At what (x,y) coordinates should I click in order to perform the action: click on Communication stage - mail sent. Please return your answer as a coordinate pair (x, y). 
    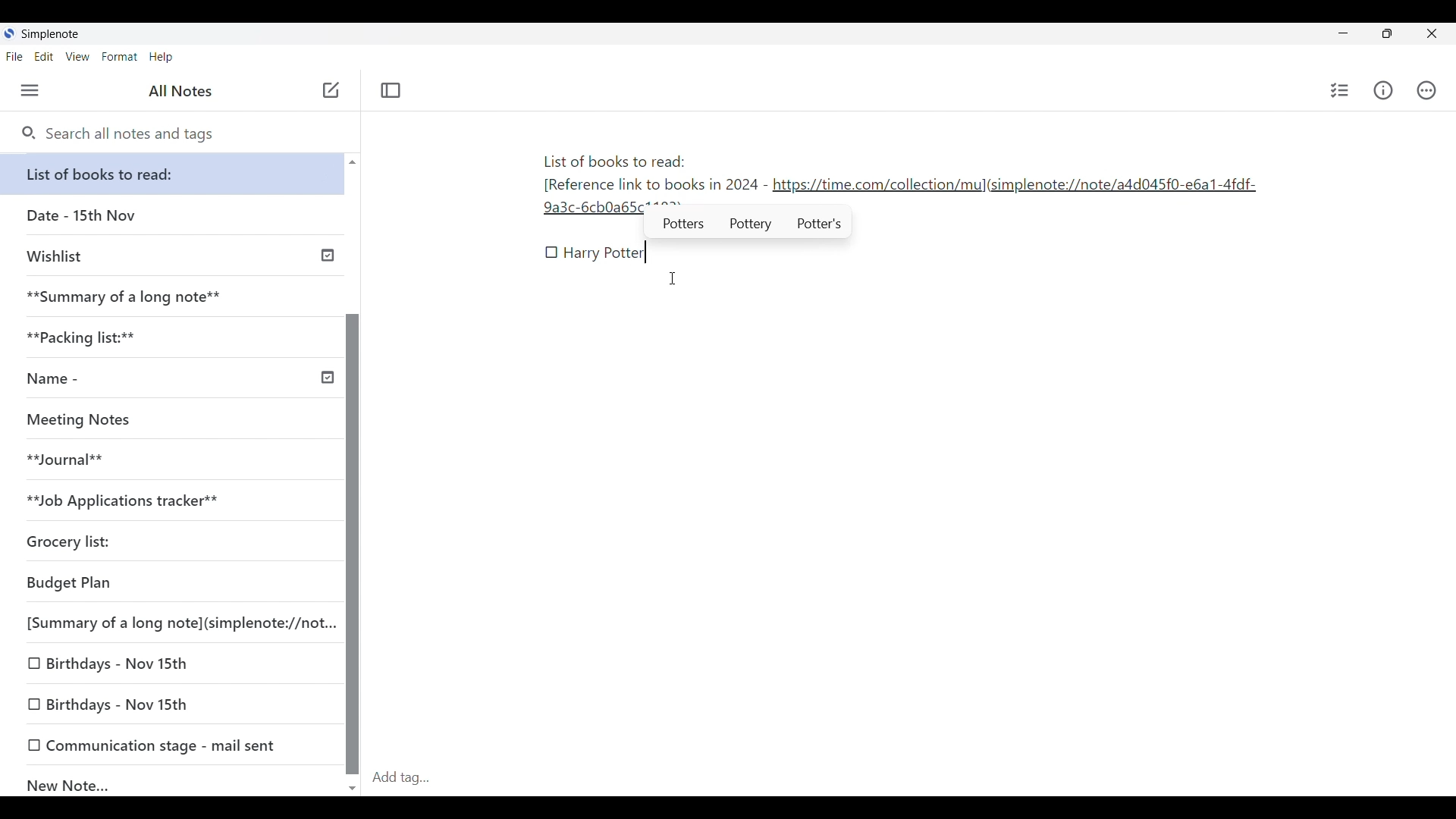
    Looking at the image, I should click on (173, 745).